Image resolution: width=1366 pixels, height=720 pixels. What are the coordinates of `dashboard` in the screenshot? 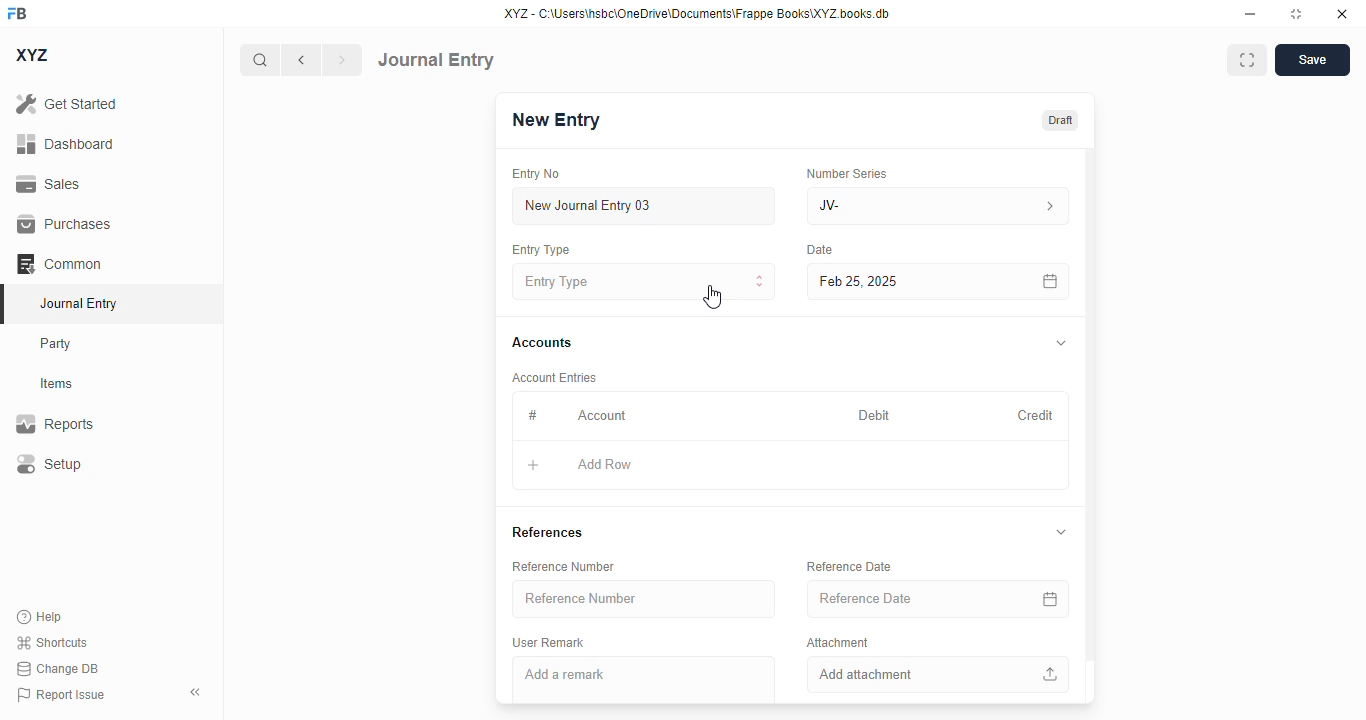 It's located at (66, 144).